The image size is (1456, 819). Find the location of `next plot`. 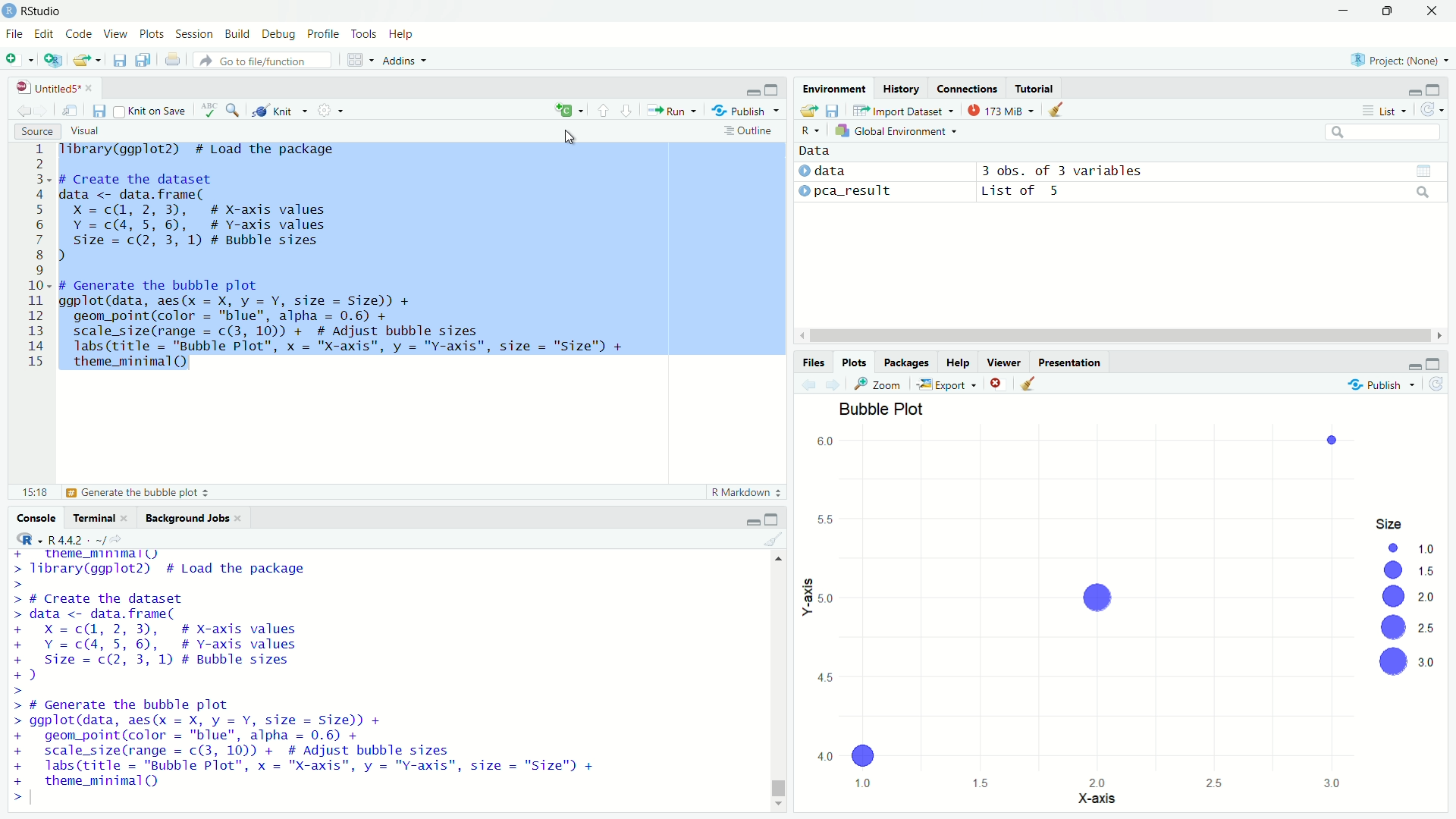

next plot is located at coordinates (835, 384).